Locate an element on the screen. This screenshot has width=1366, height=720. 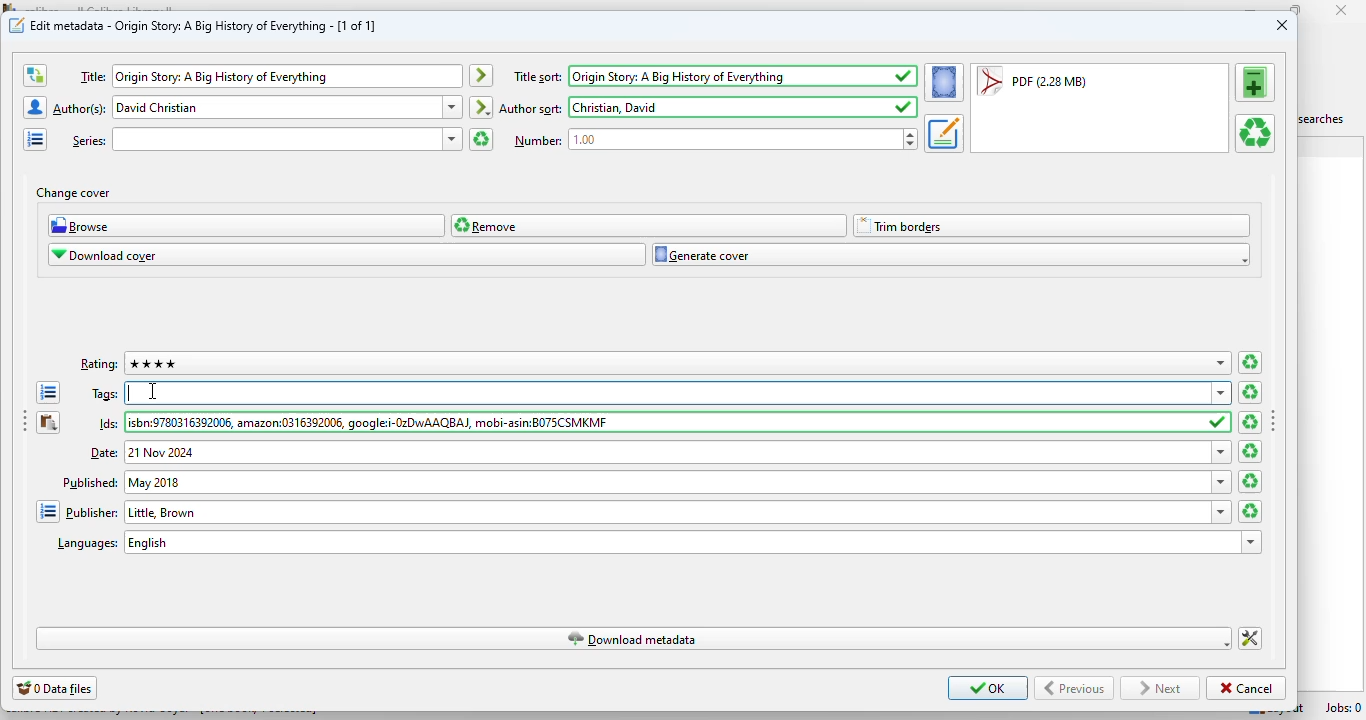
dropdown is located at coordinates (1222, 452).